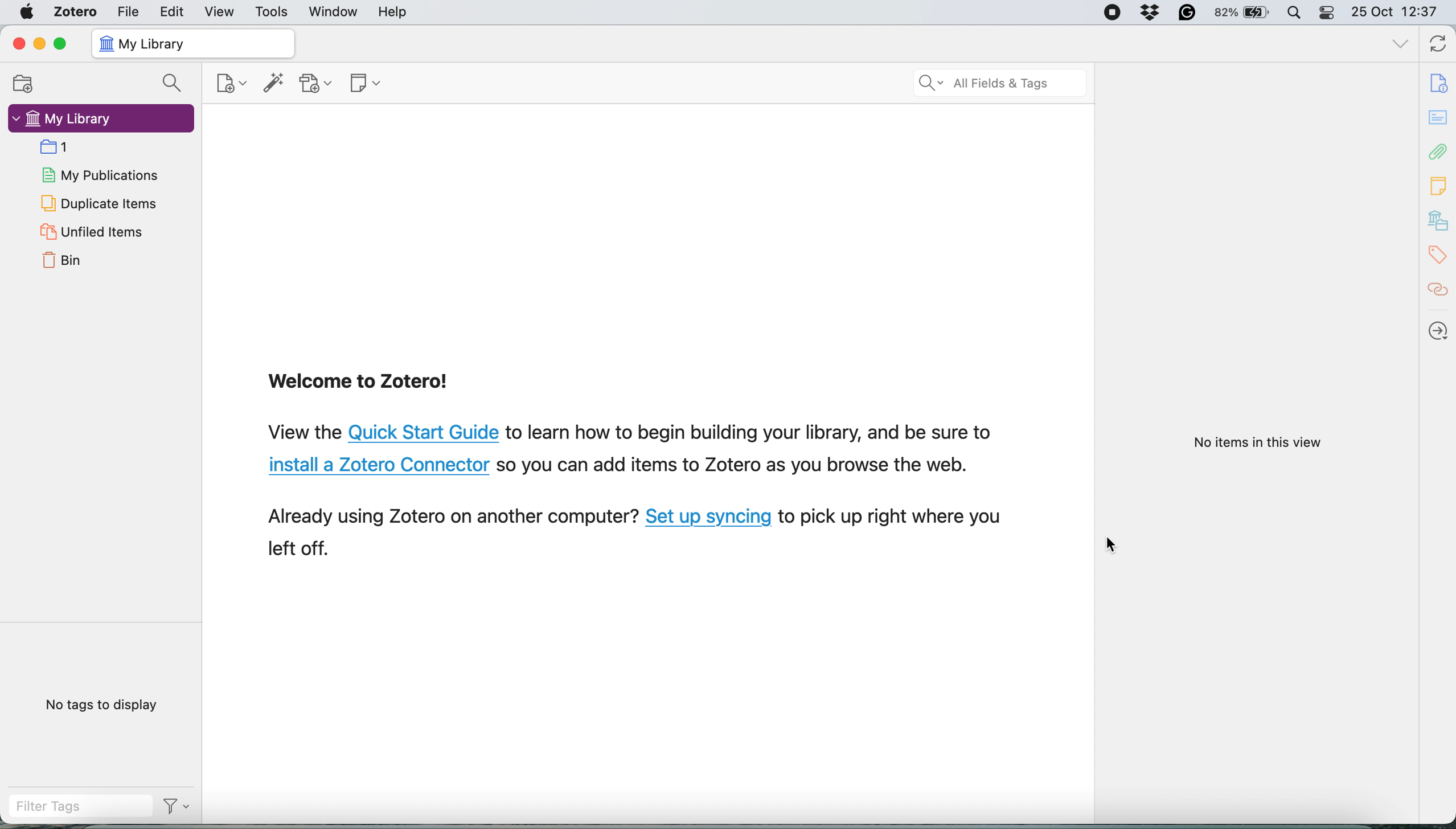 The image size is (1456, 829). I want to click on zotero, so click(77, 10).